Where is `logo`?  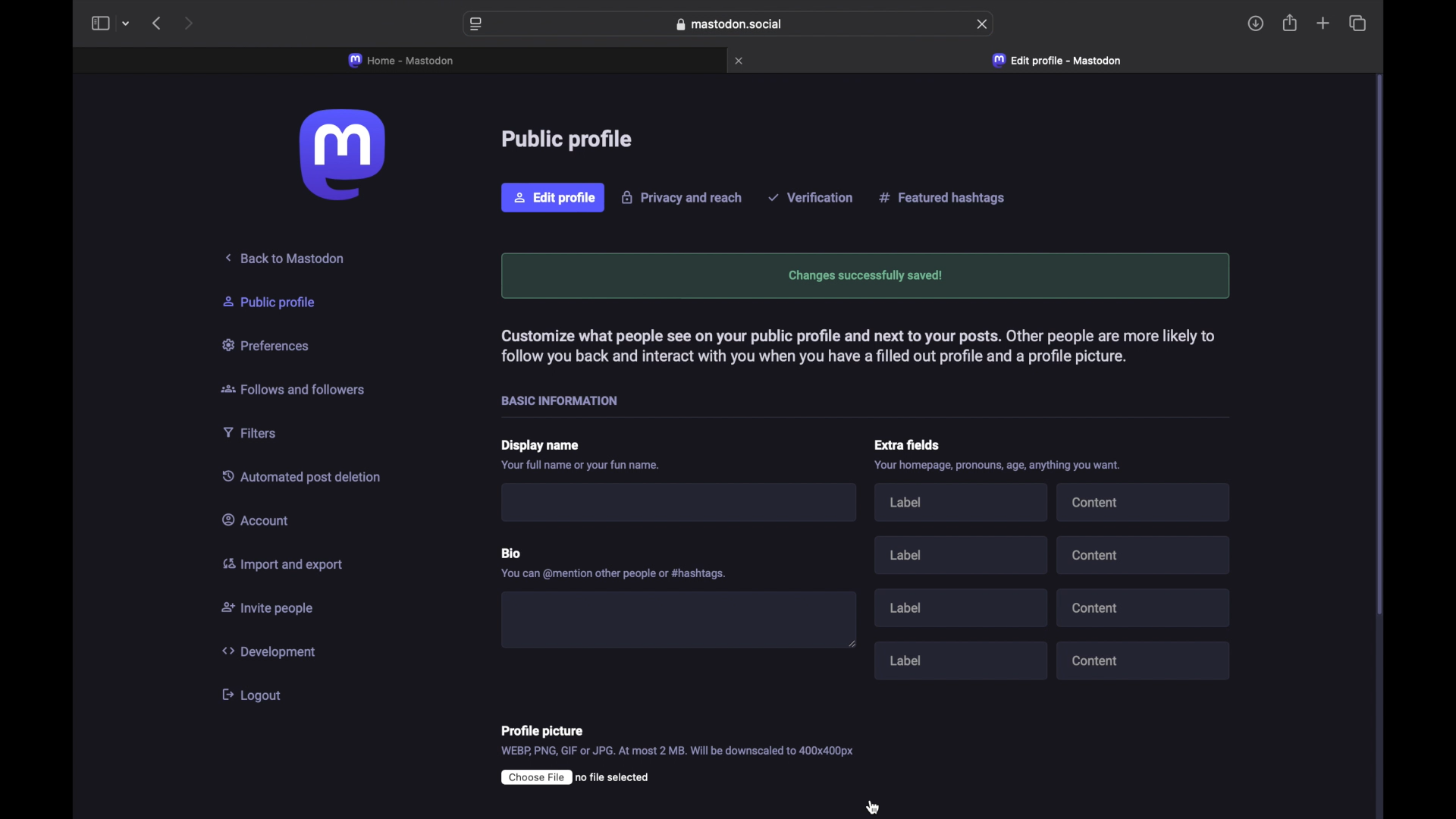 logo is located at coordinates (346, 151).